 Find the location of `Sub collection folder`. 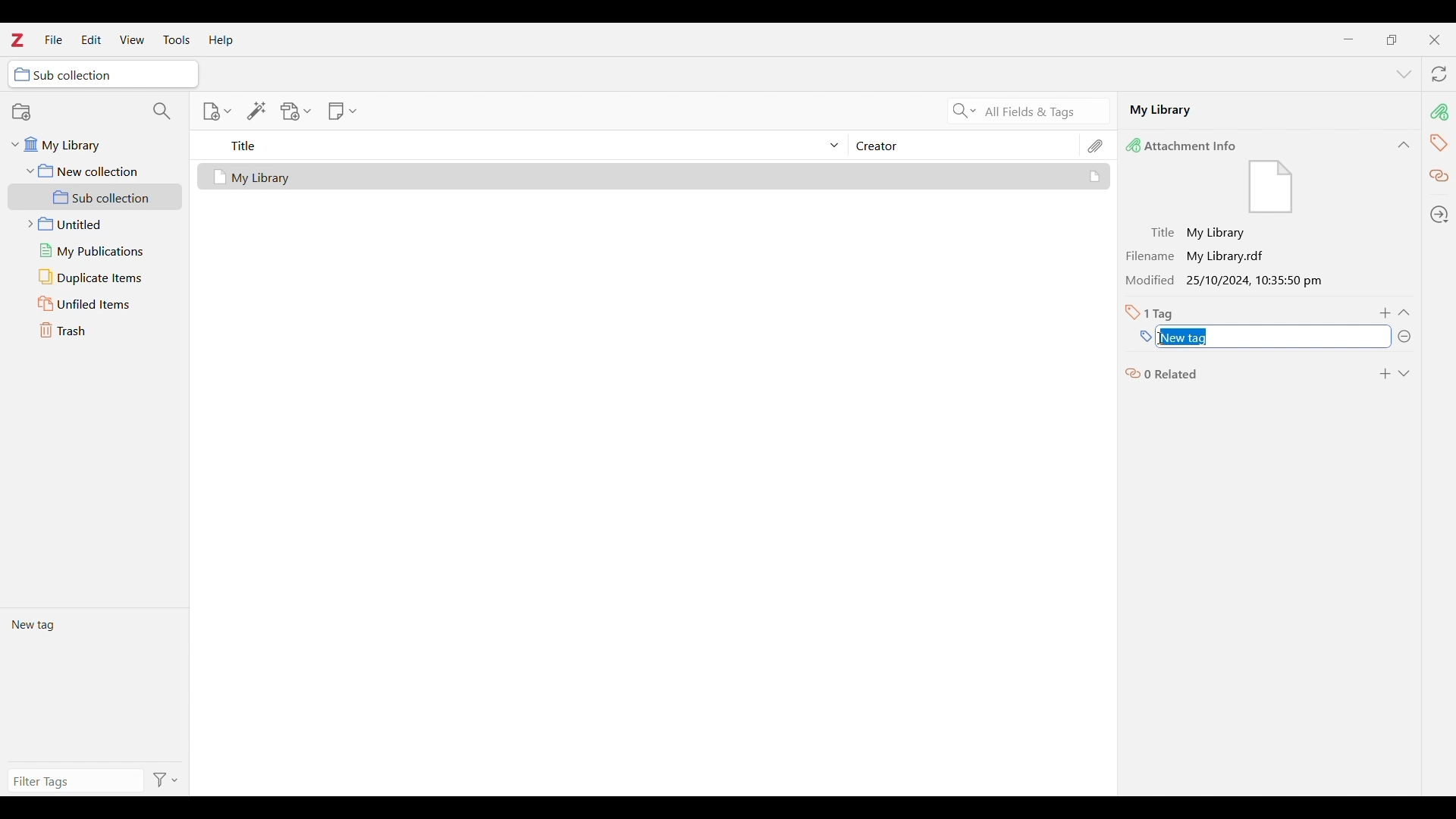

Sub collection folder is located at coordinates (96, 197).